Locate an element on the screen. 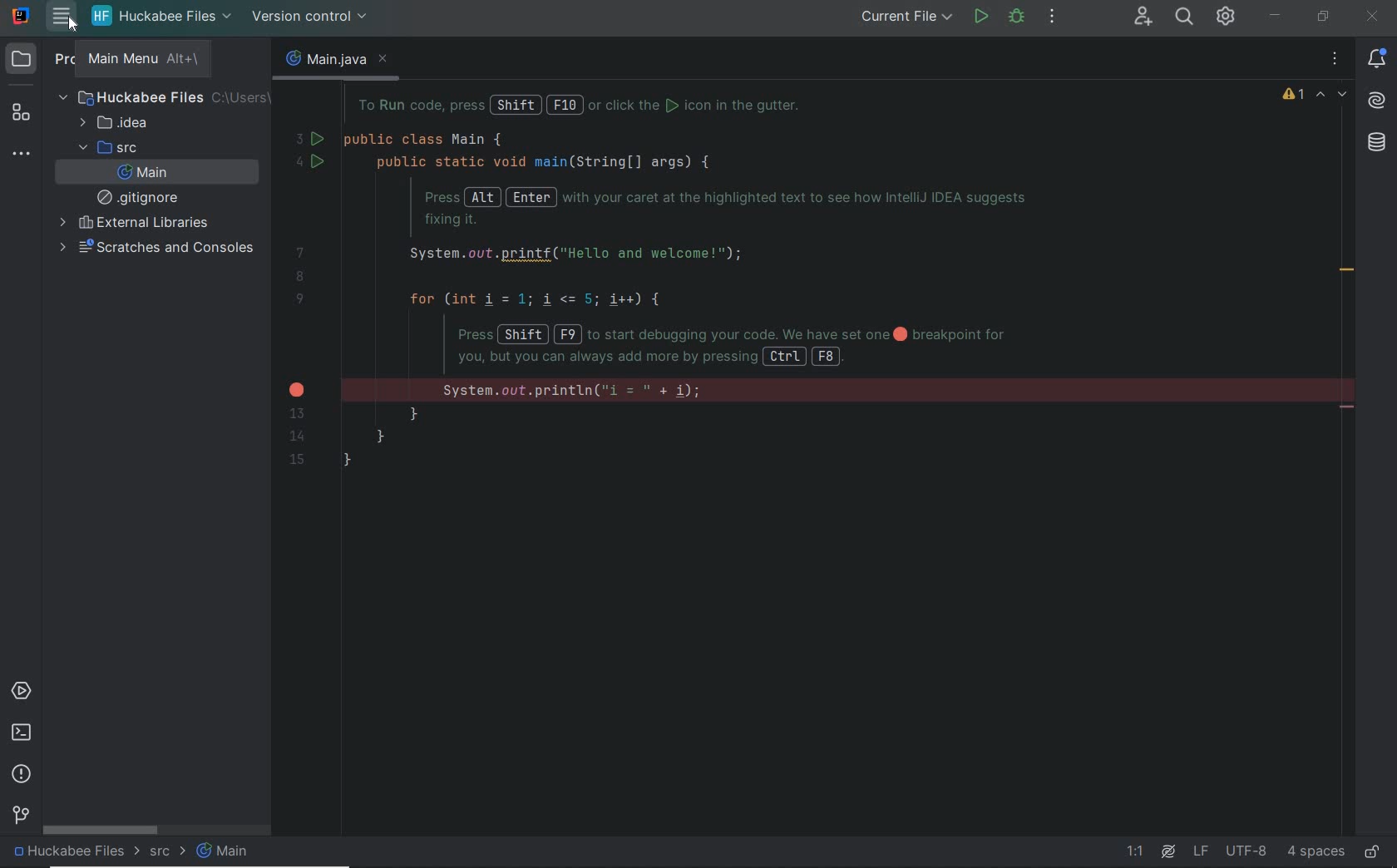 This screenshot has height=868, width=1397. debug is located at coordinates (1017, 18).